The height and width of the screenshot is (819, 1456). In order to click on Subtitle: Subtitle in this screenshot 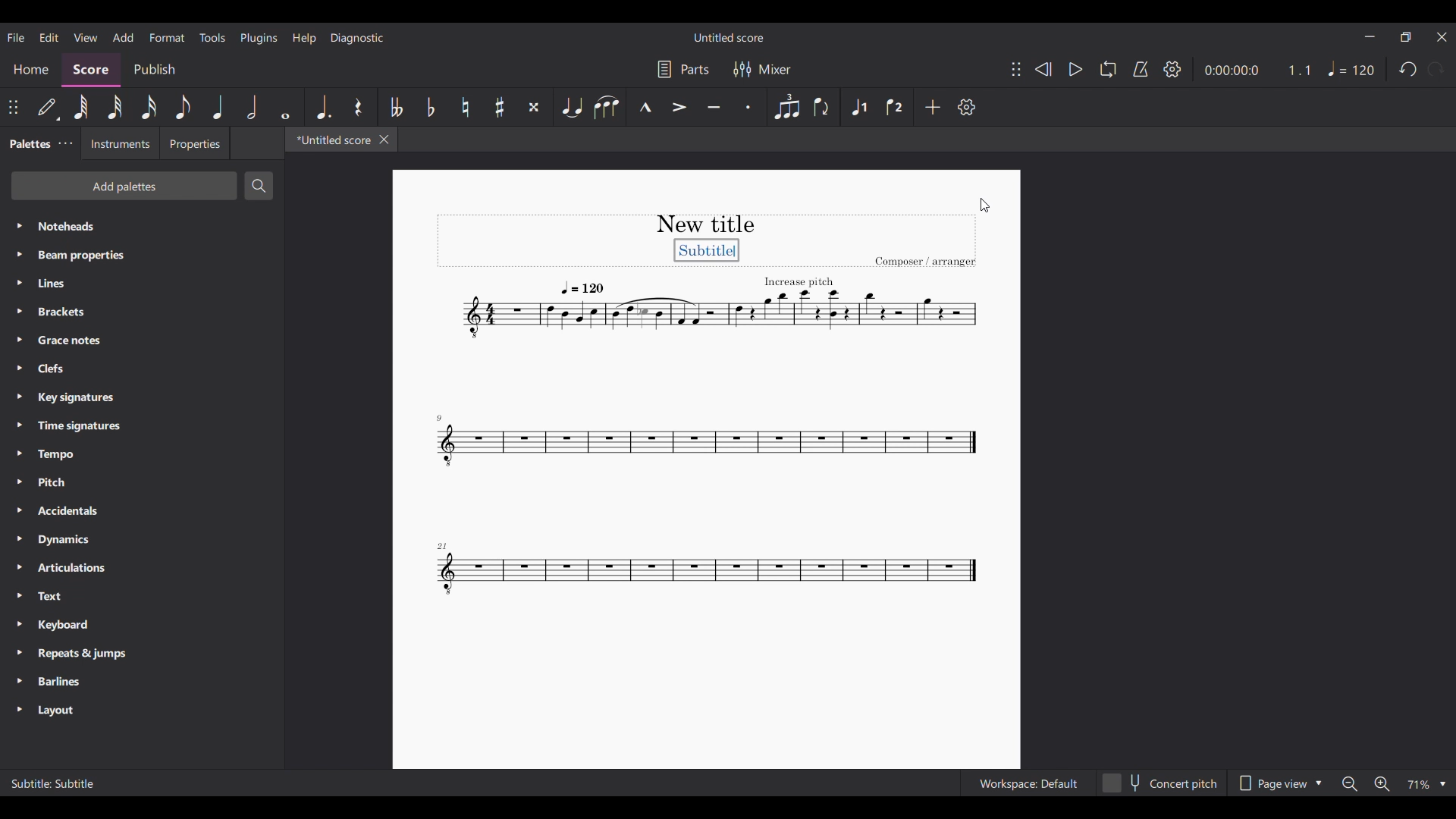, I will do `click(62, 783)`.